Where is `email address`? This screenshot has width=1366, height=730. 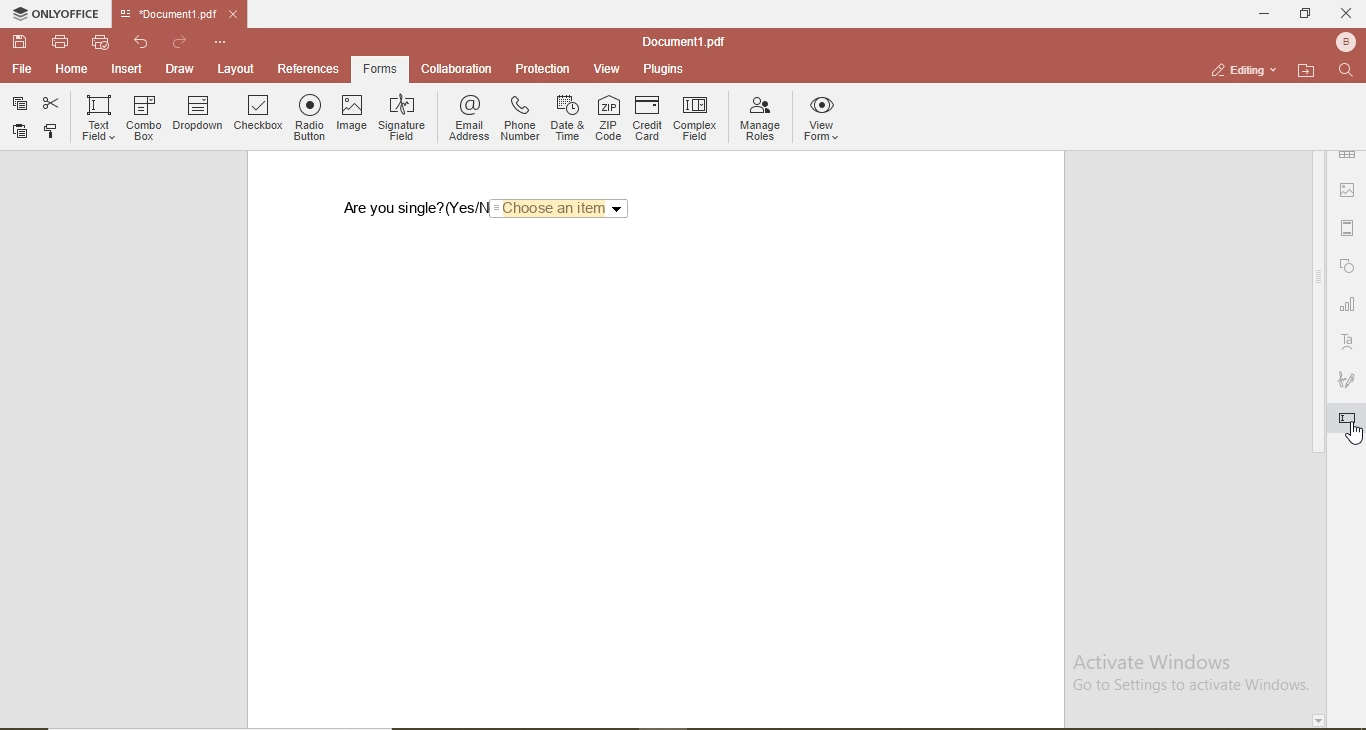
email address is located at coordinates (467, 116).